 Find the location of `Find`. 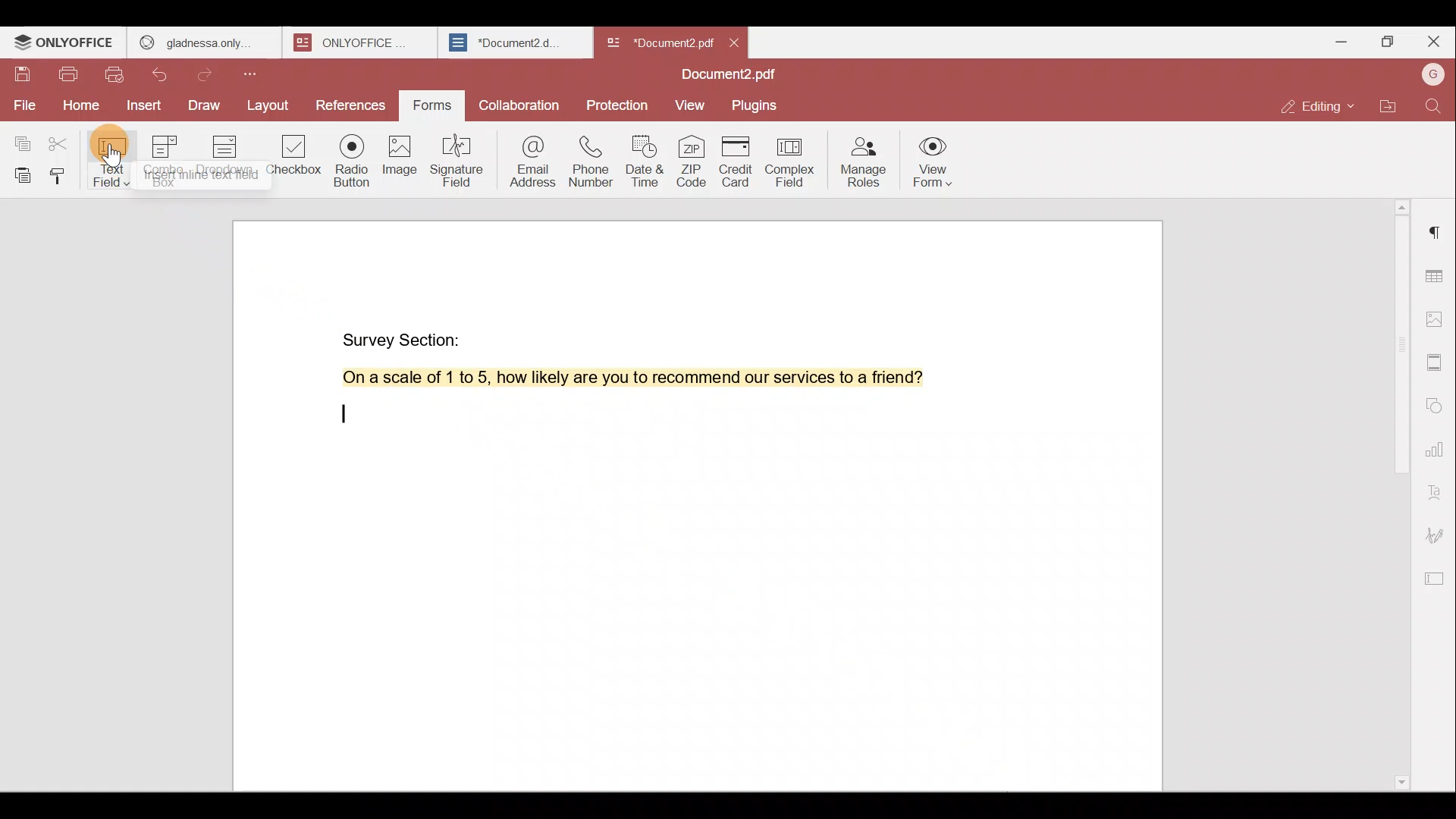

Find is located at coordinates (1436, 106).